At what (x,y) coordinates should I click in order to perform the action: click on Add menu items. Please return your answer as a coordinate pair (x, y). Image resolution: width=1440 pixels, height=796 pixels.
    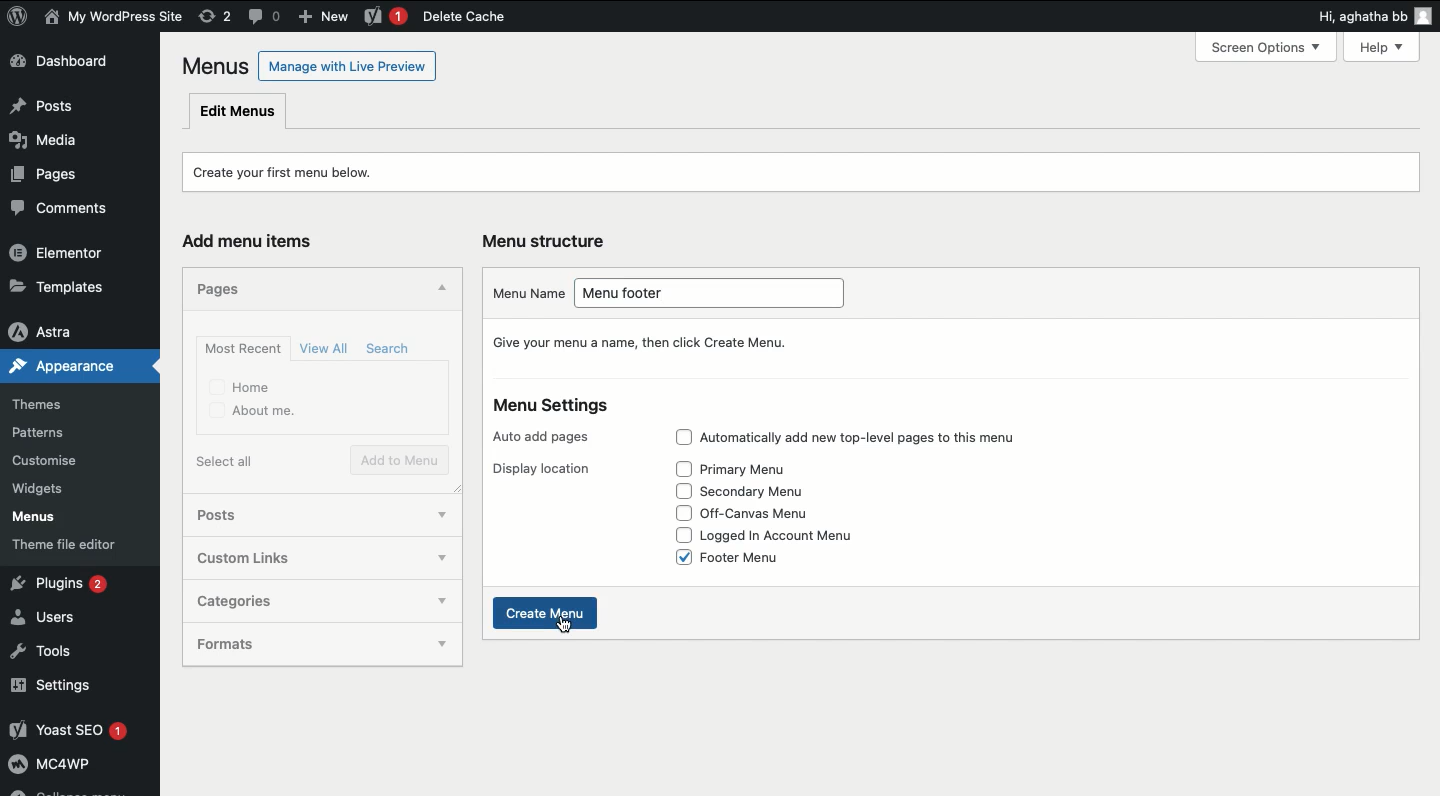
    Looking at the image, I should click on (252, 240).